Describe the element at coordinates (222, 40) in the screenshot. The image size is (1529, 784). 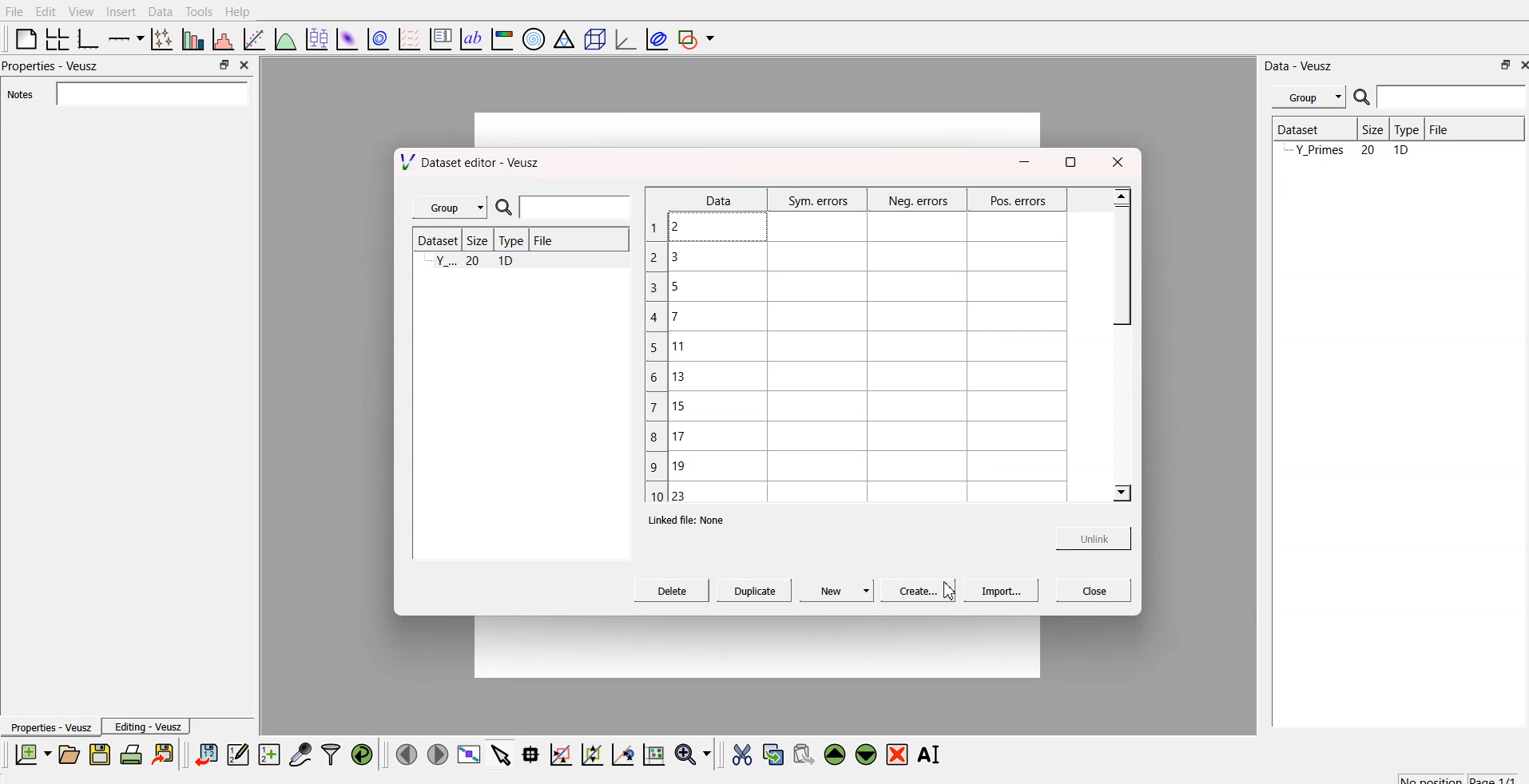
I see `histogram of dataset` at that location.